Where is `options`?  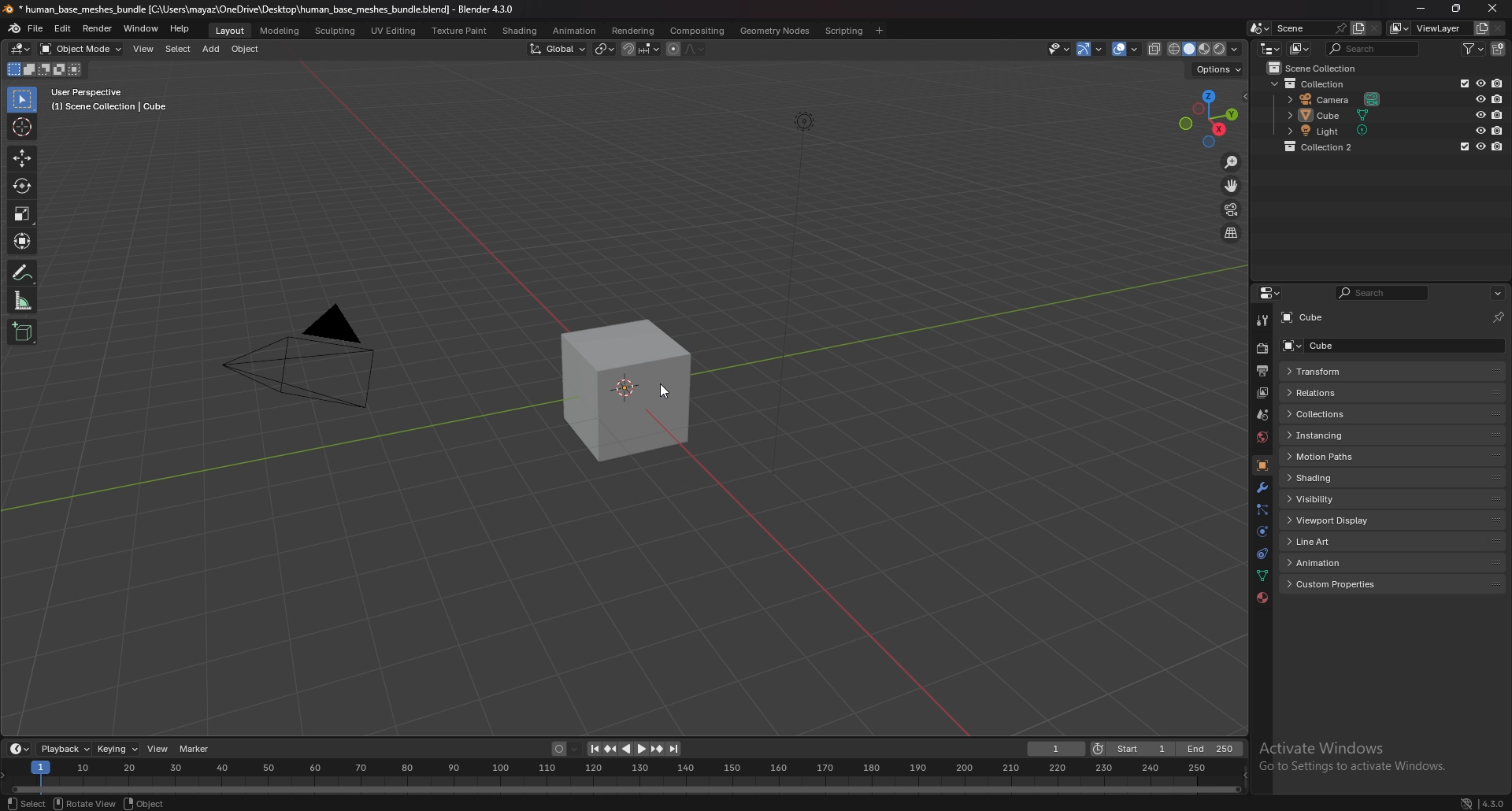
options is located at coordinates (1218, 68).